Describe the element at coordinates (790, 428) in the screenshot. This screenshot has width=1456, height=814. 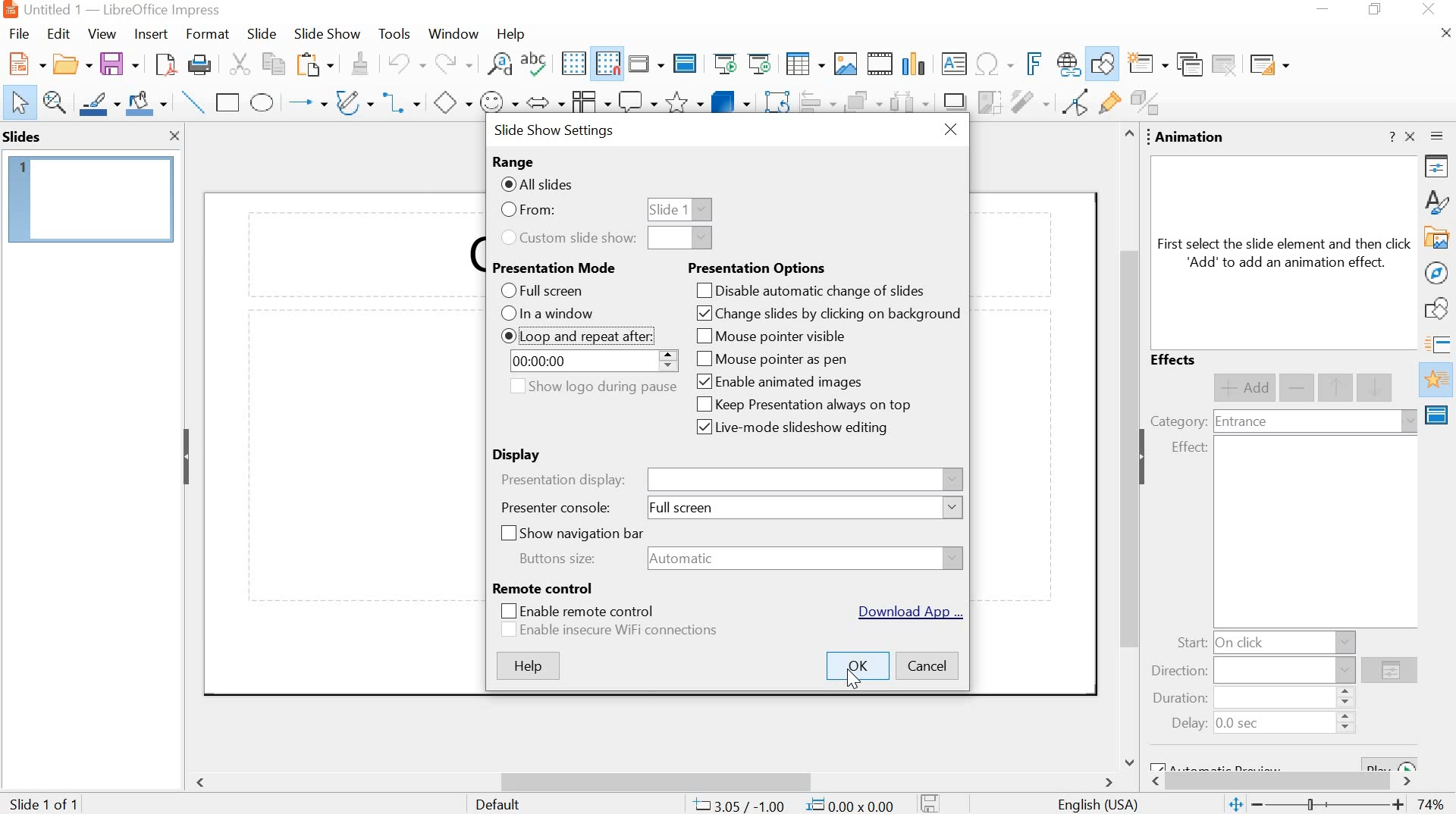
I see `live-mode slideshow editing` at that location.